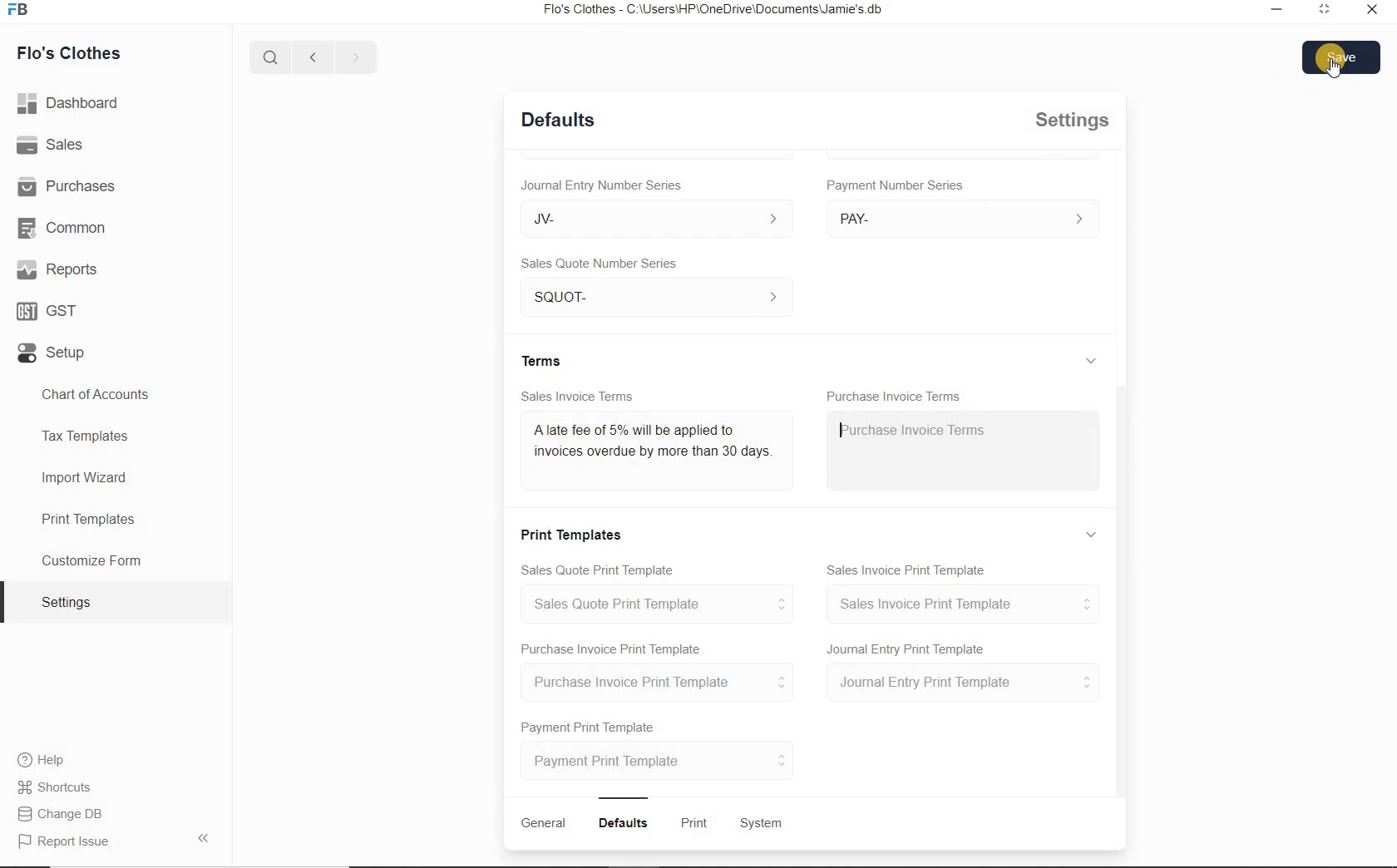 This screenshot has width=1397, height=868. Describe the element at coordinates (663, 683) in the screenshot. I see `Purchase Invoice Print Template` at that location.